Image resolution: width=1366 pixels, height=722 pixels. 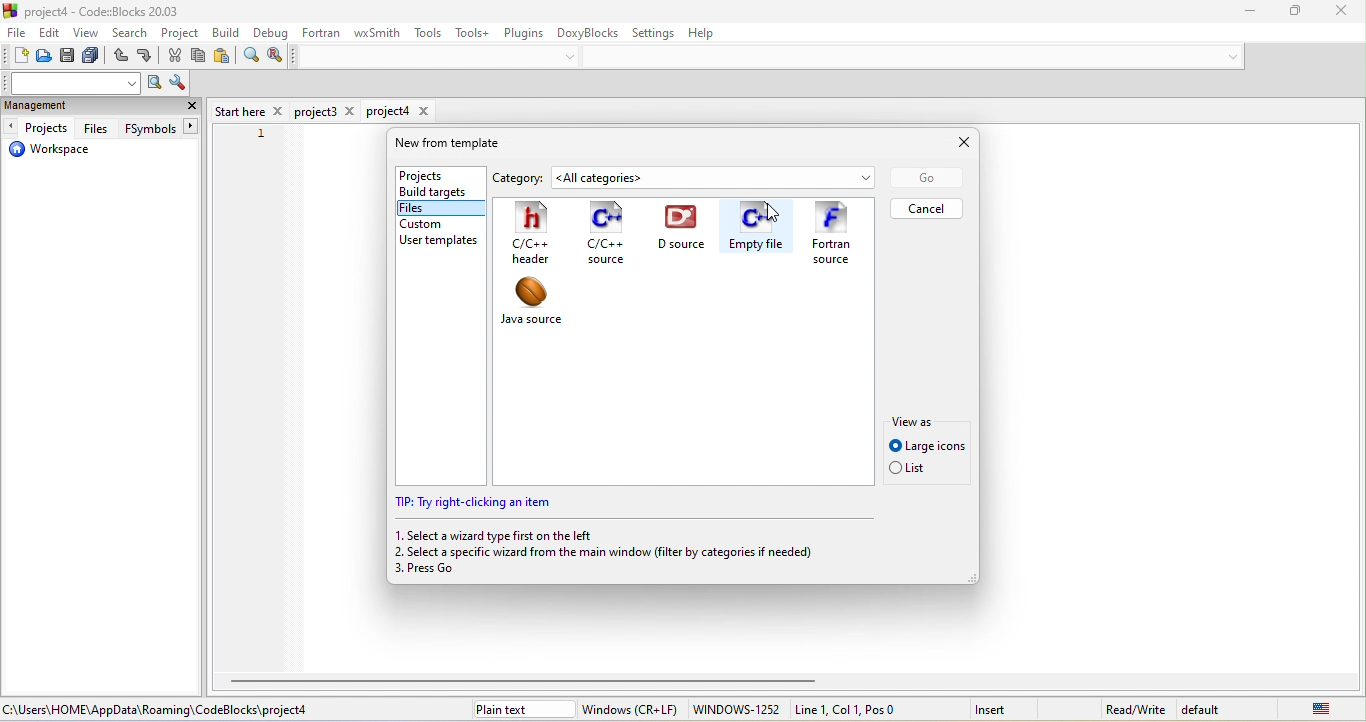 I want to click on select a specific wizard from the main window, so click(x=620, y=552).